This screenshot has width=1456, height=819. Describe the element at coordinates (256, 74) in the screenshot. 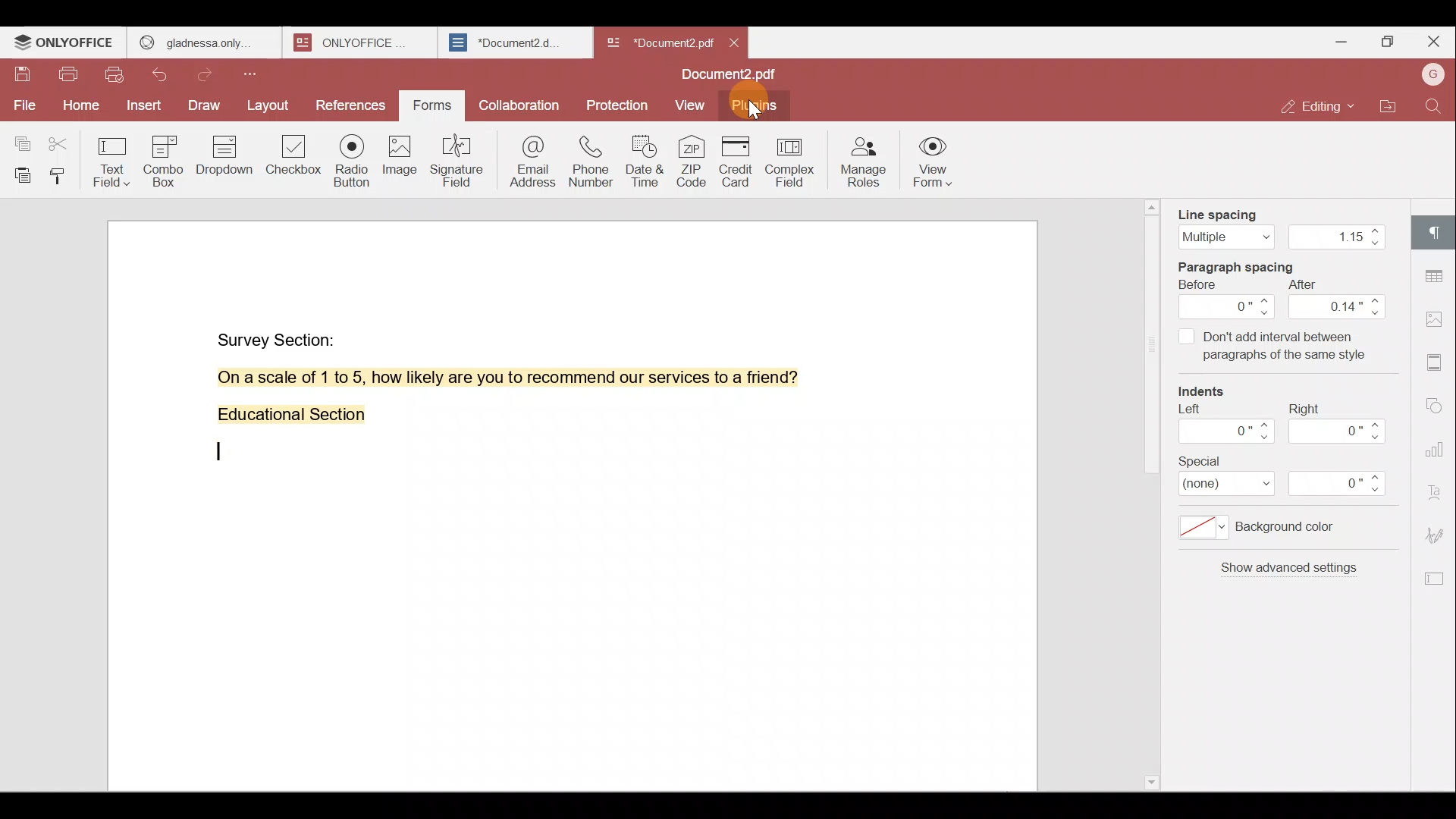

I see `Customize quick access toolbar` at that location.